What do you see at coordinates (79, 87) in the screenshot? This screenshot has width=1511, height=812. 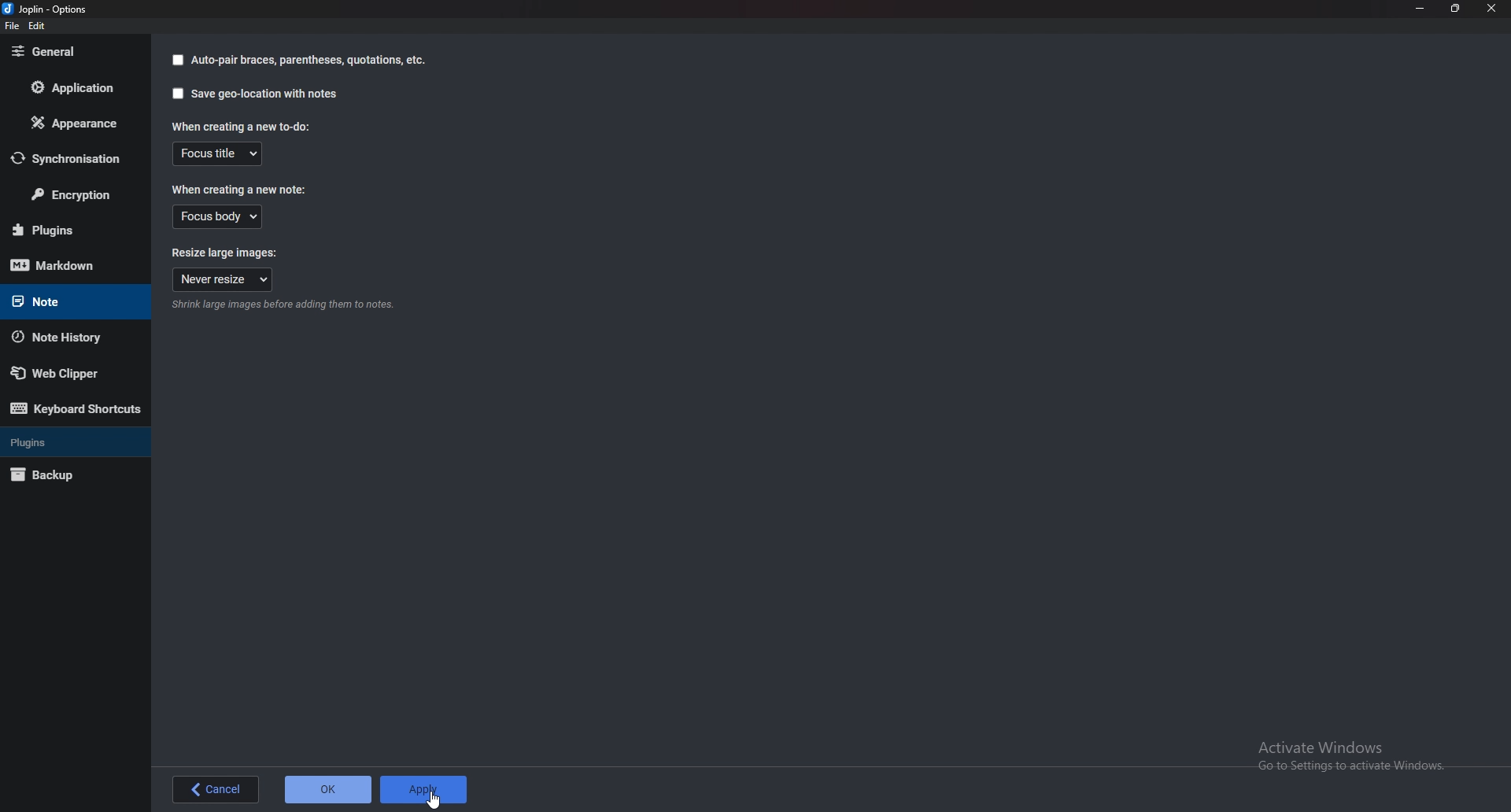 I see `Application` at bounding box center [79, 87].